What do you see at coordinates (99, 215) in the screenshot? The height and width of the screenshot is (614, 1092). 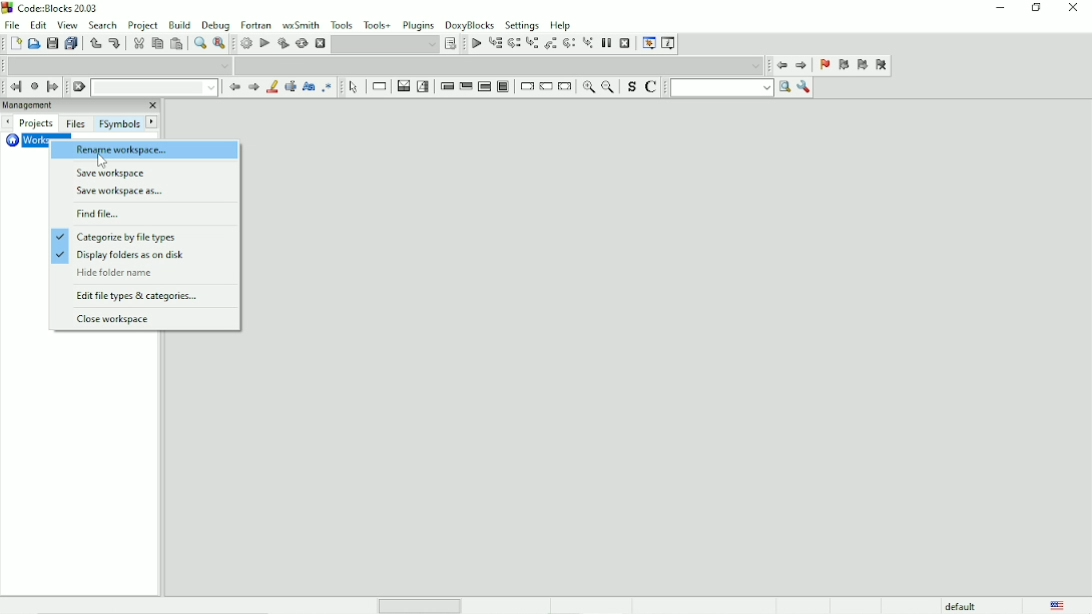 I see `Find file` at bounding box center [99, 215].